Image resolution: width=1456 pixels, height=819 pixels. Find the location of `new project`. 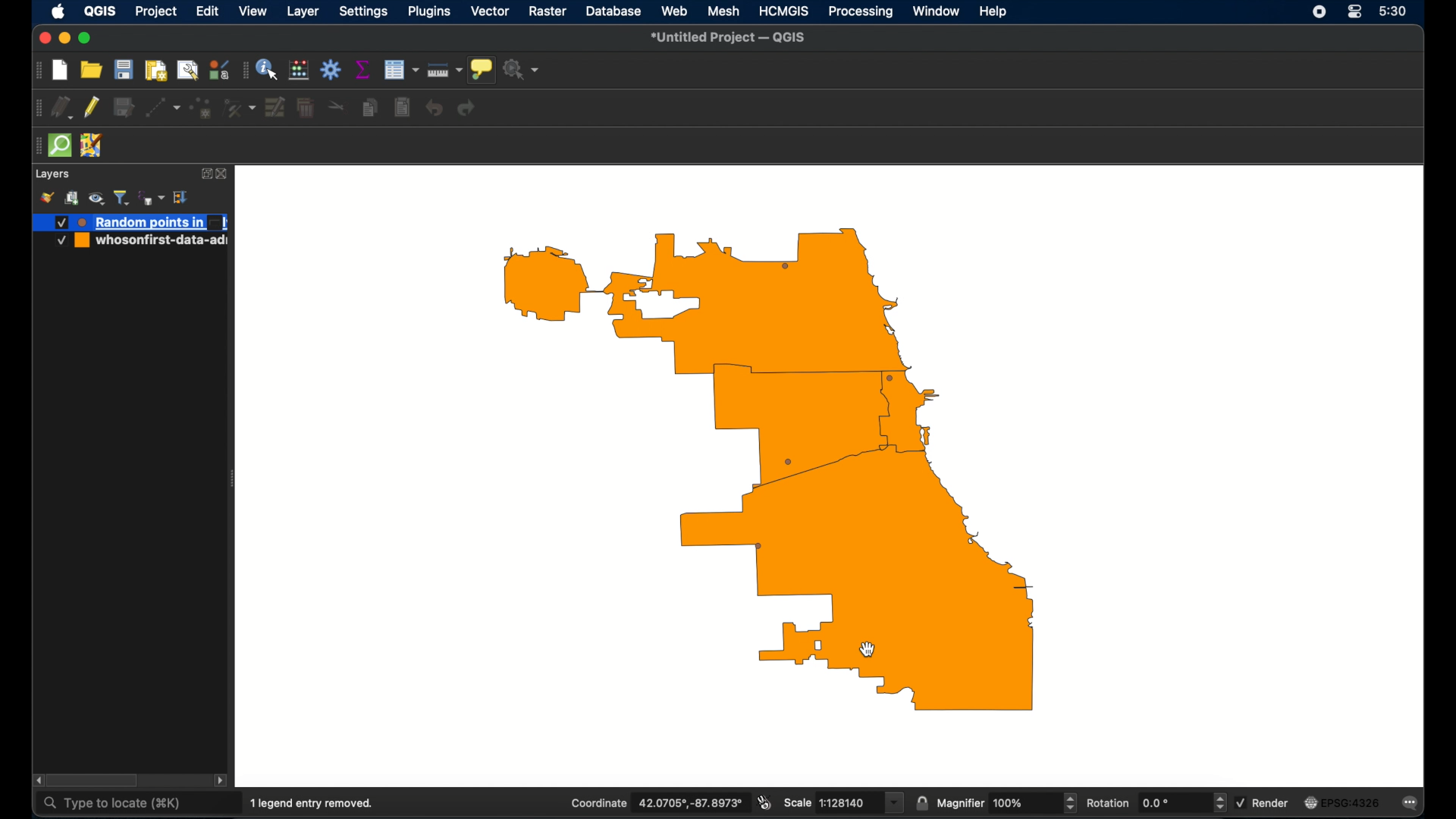

new project is located at coordinates (60, 70).